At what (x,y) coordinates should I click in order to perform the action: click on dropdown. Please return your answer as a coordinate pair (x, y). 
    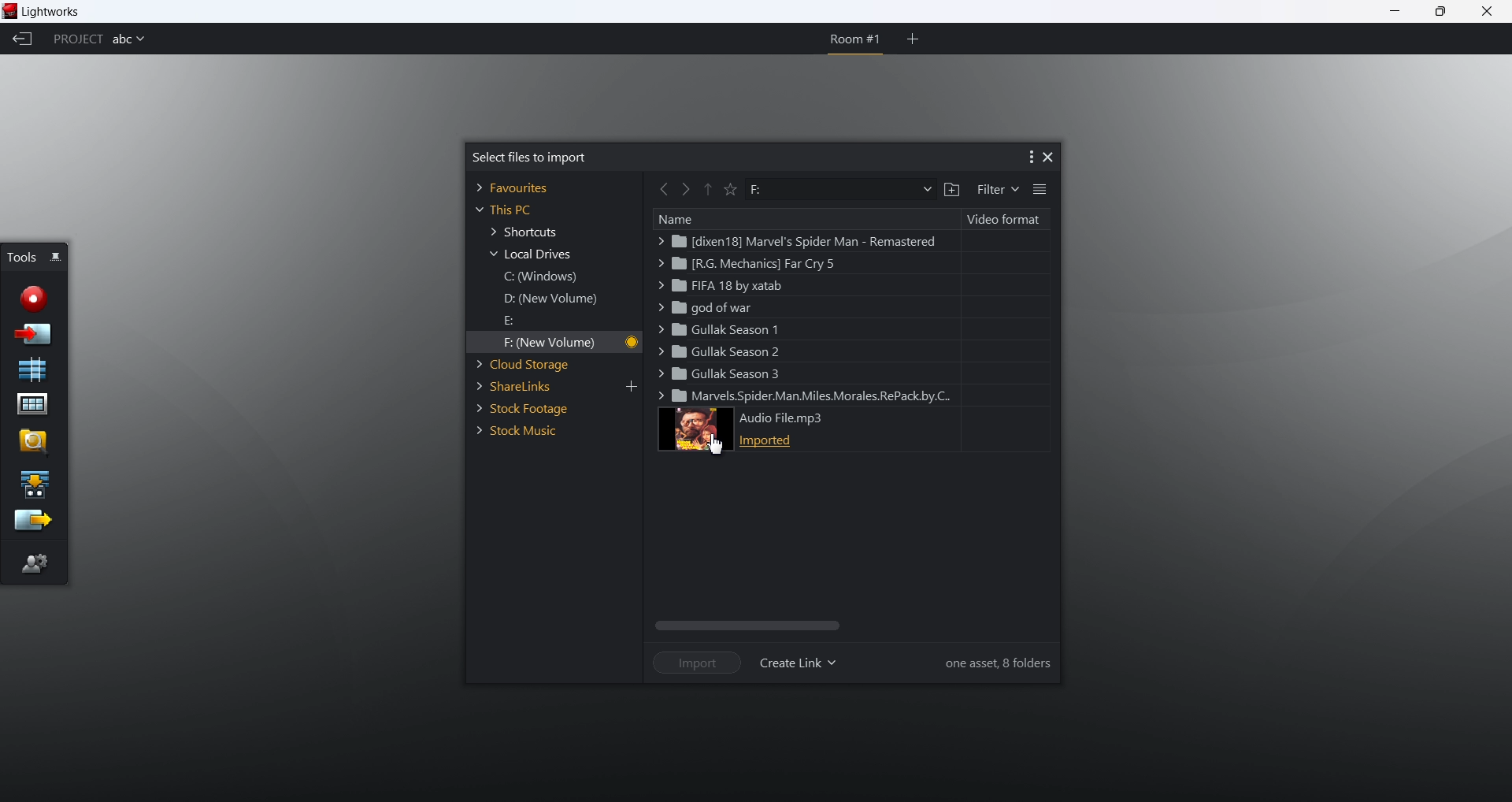
    Looking at the image, I should click on (928, 189).